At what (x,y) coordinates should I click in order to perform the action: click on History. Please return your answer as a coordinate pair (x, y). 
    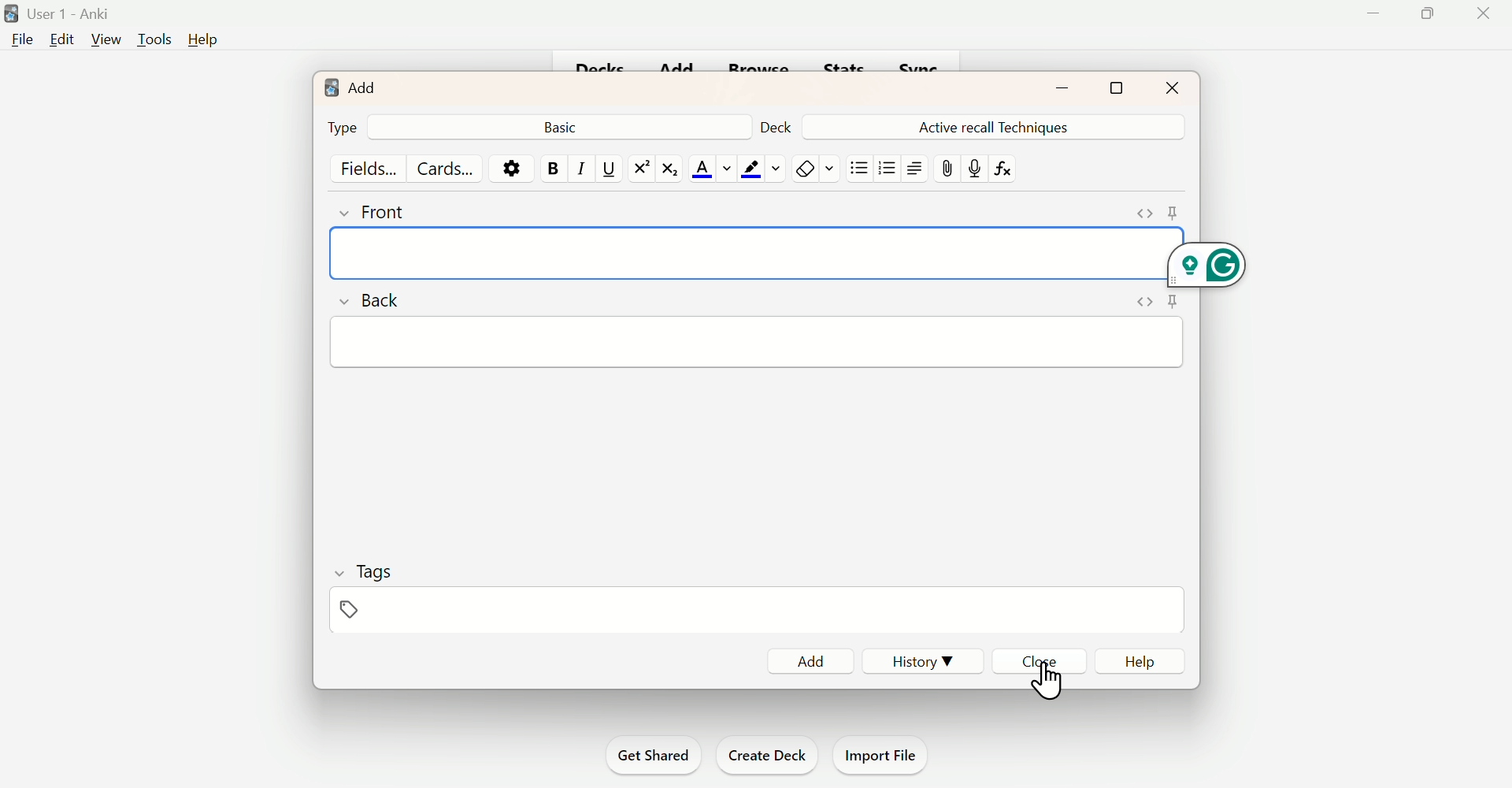
    Looking at the image, I should click on (929, 663).